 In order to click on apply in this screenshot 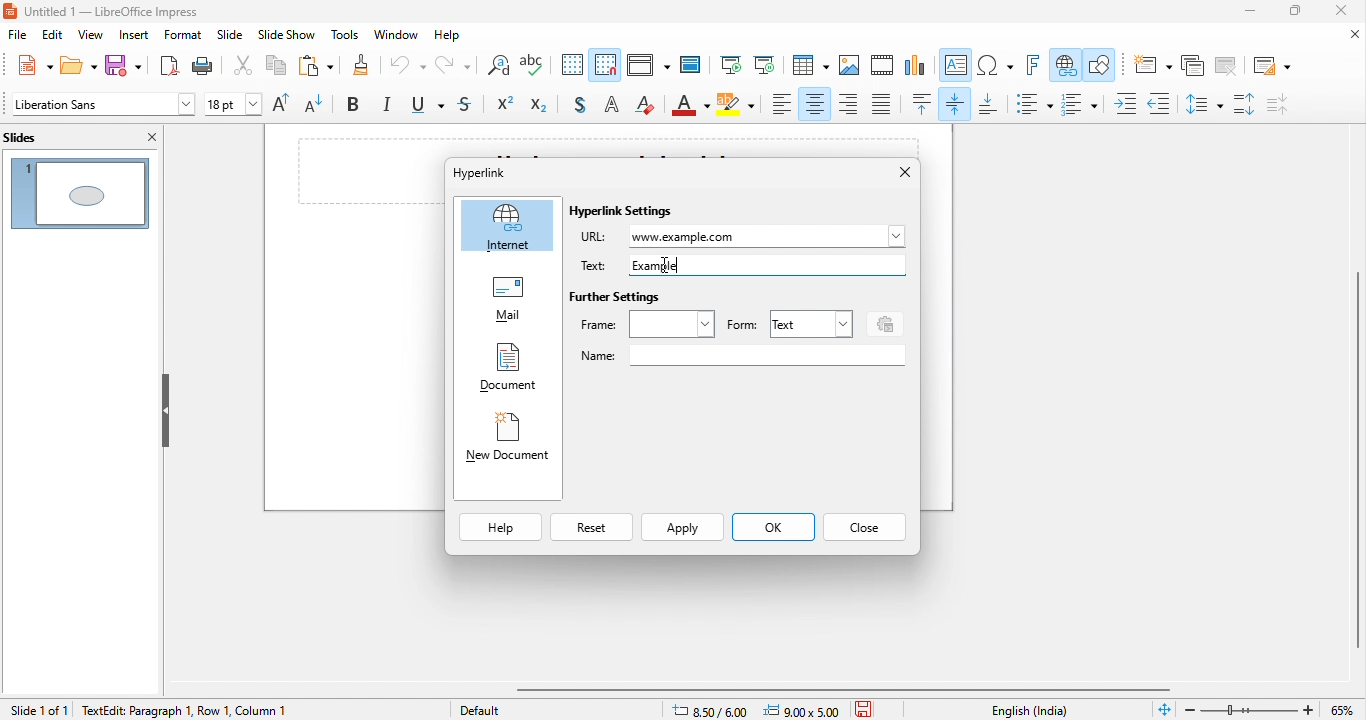, I will do `click(683, 529)`.